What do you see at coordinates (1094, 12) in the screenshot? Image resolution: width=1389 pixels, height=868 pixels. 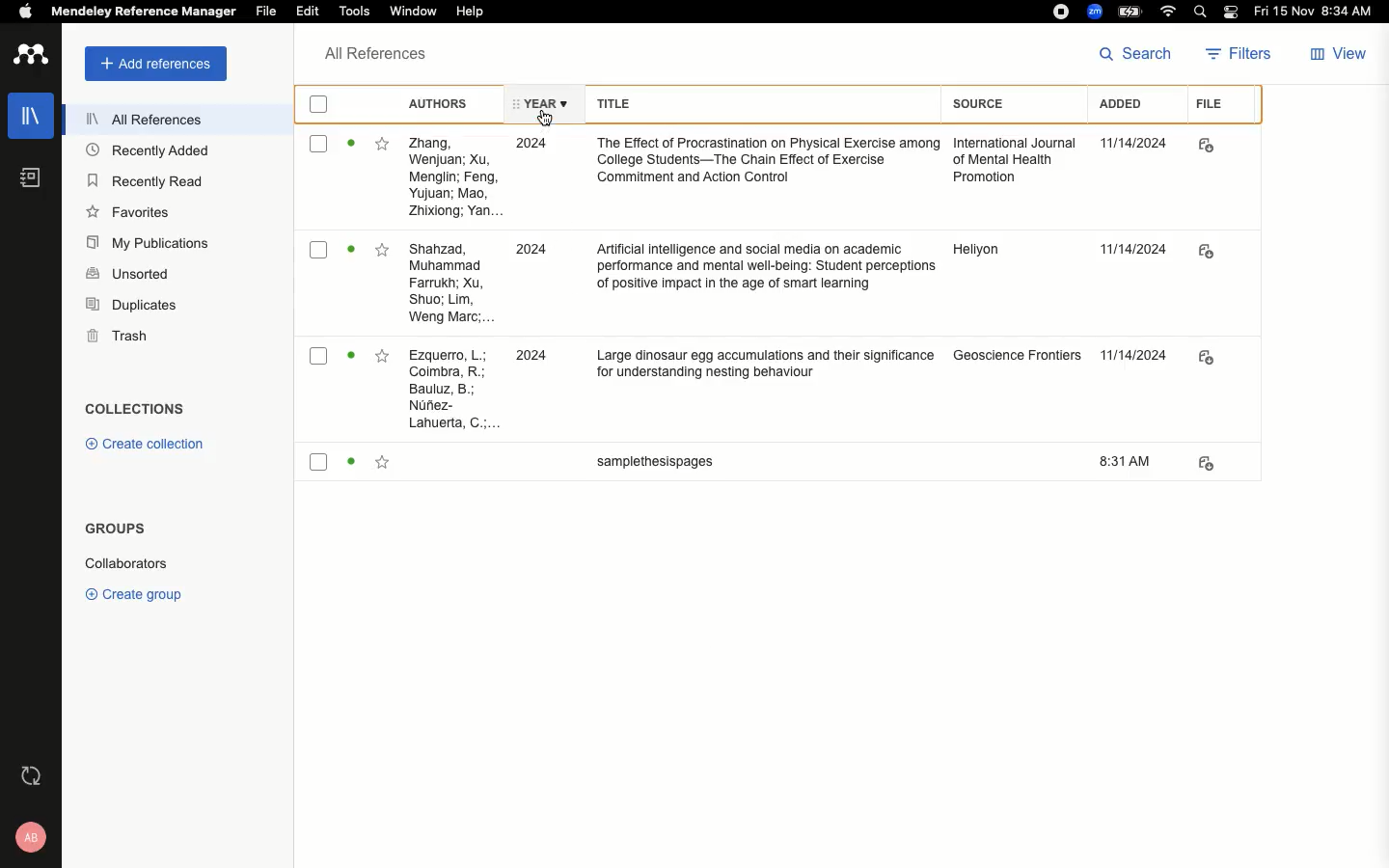 I see `Zoom` at bounding box center [1094, 12].